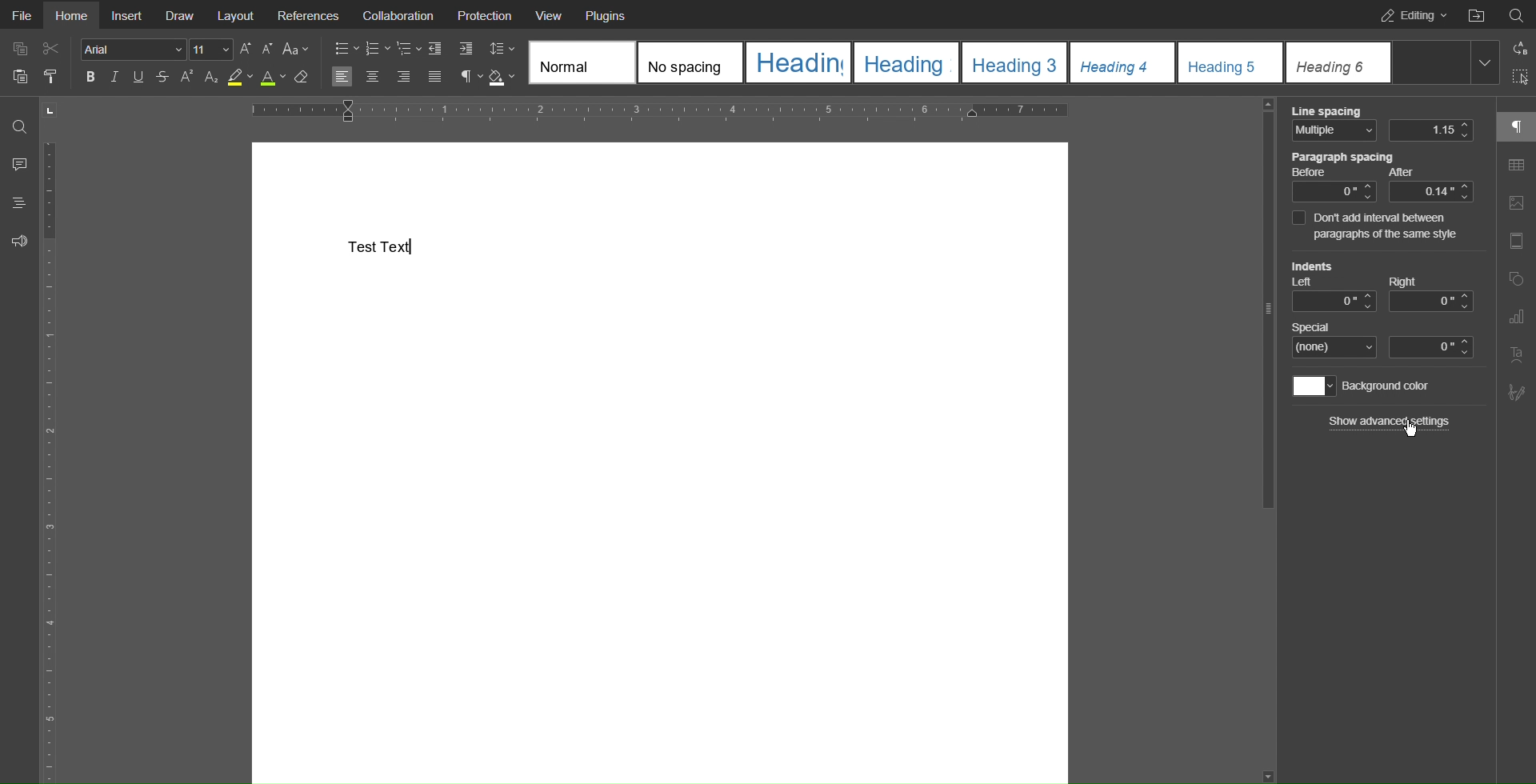  Describe the element at coordinates (237, 14) in the screenshot. I see `Layout` at that location.